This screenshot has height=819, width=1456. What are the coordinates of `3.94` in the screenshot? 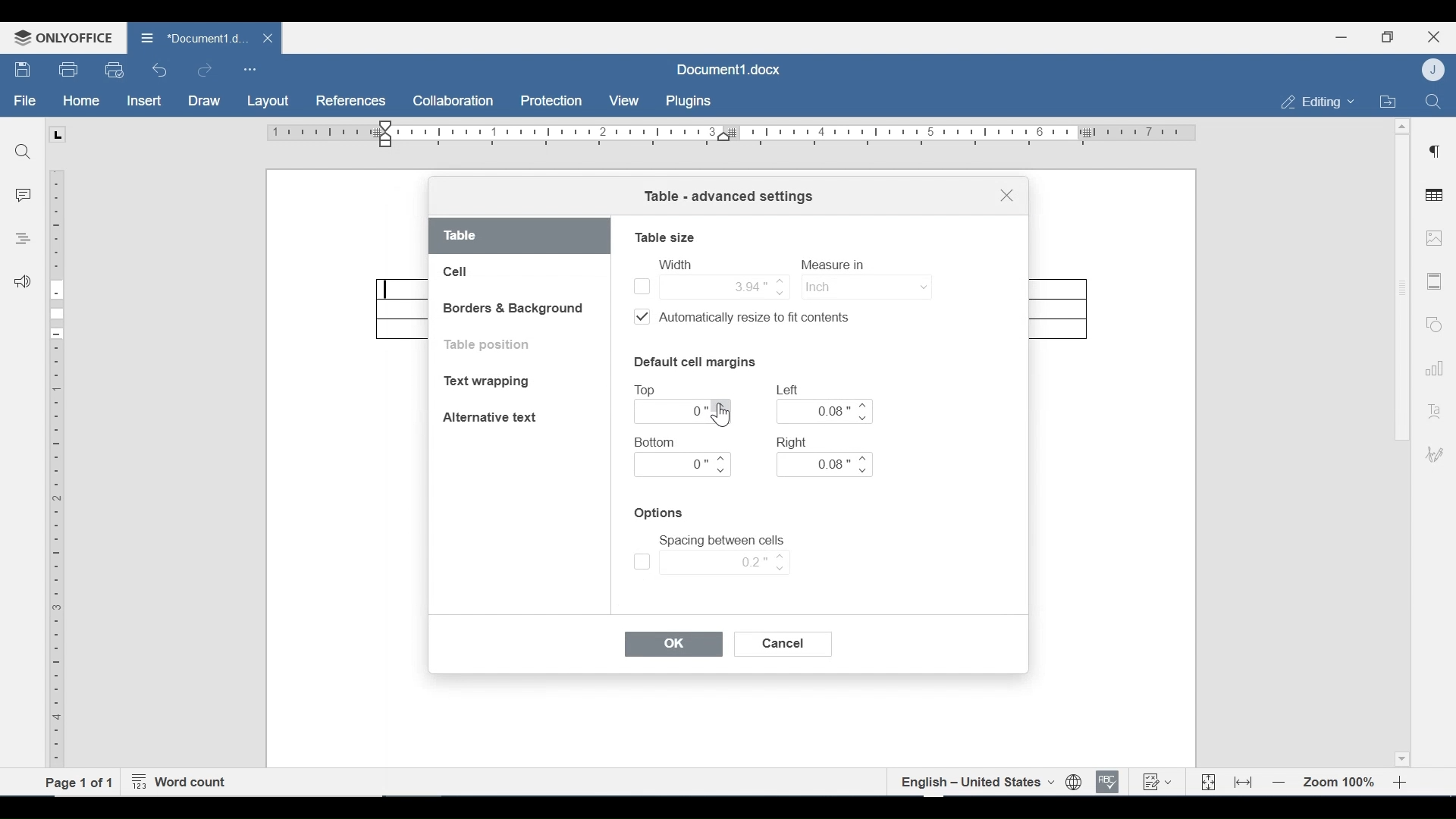 It's located at (710, 285).